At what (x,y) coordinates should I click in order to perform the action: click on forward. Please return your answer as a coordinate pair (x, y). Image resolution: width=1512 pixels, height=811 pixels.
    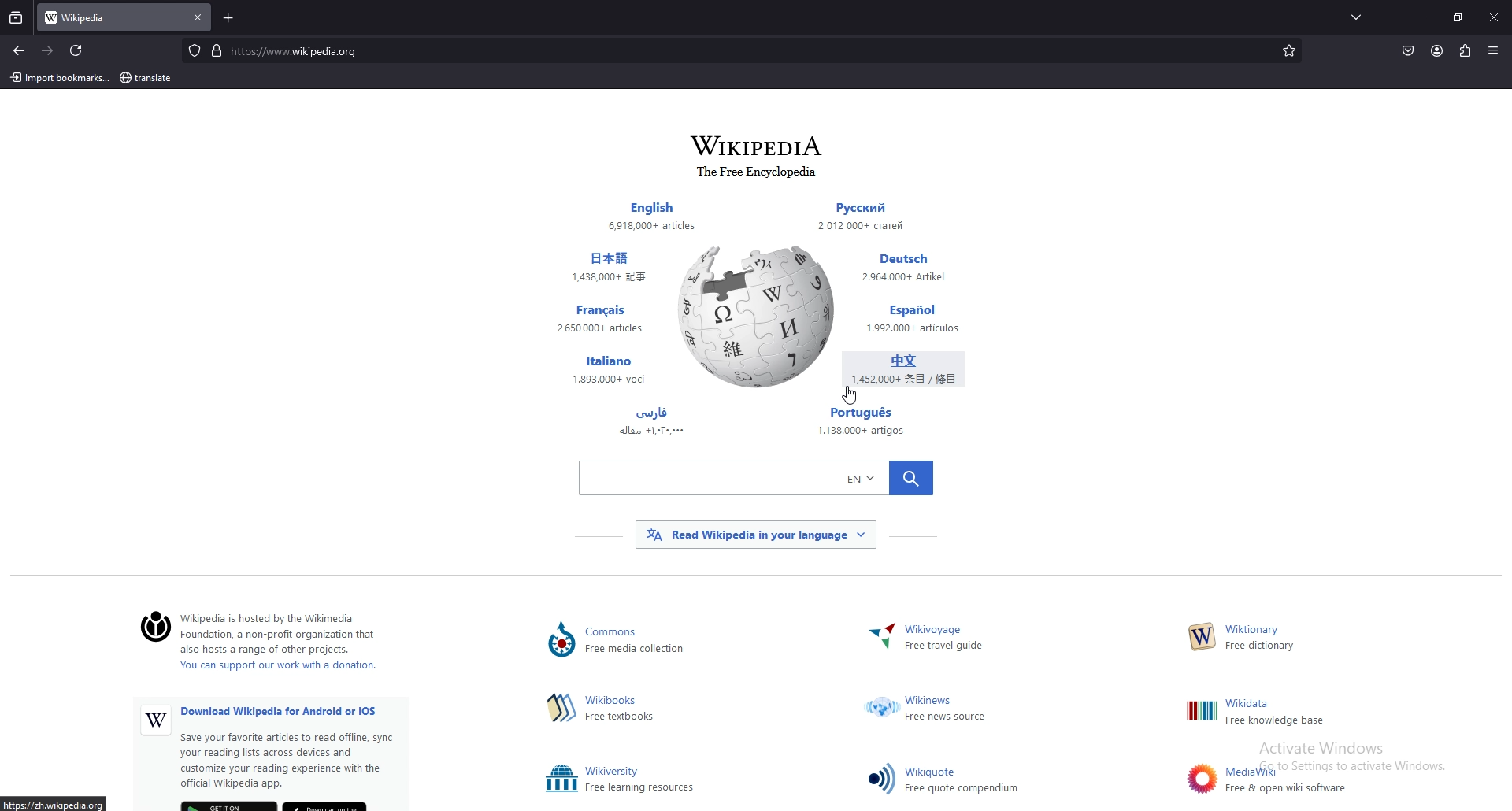
    Looking at the image, I should click on (48, 51).